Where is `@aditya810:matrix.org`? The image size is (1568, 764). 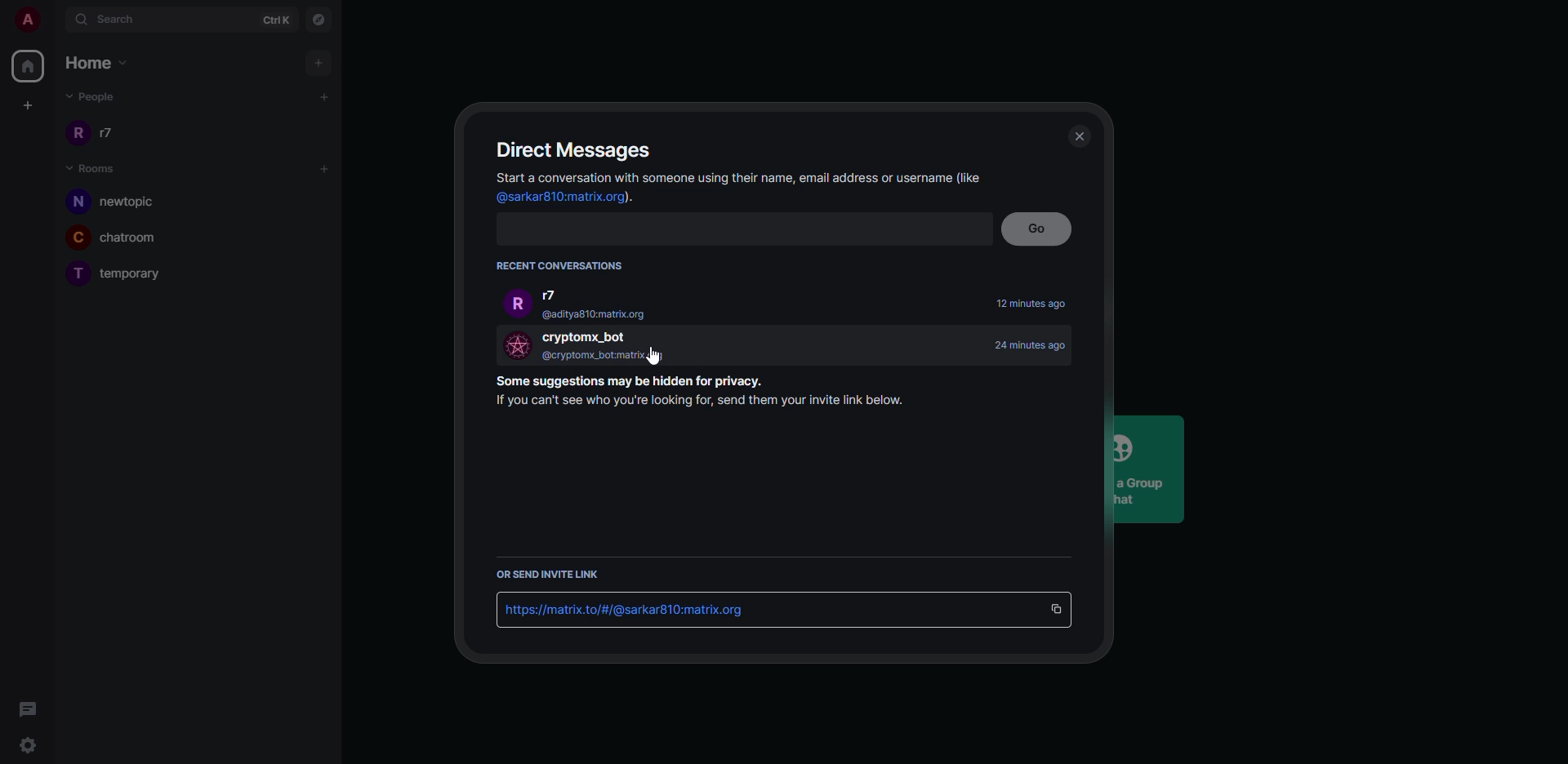
@aditya810:matrix.org is located at coordinates (598, 313).